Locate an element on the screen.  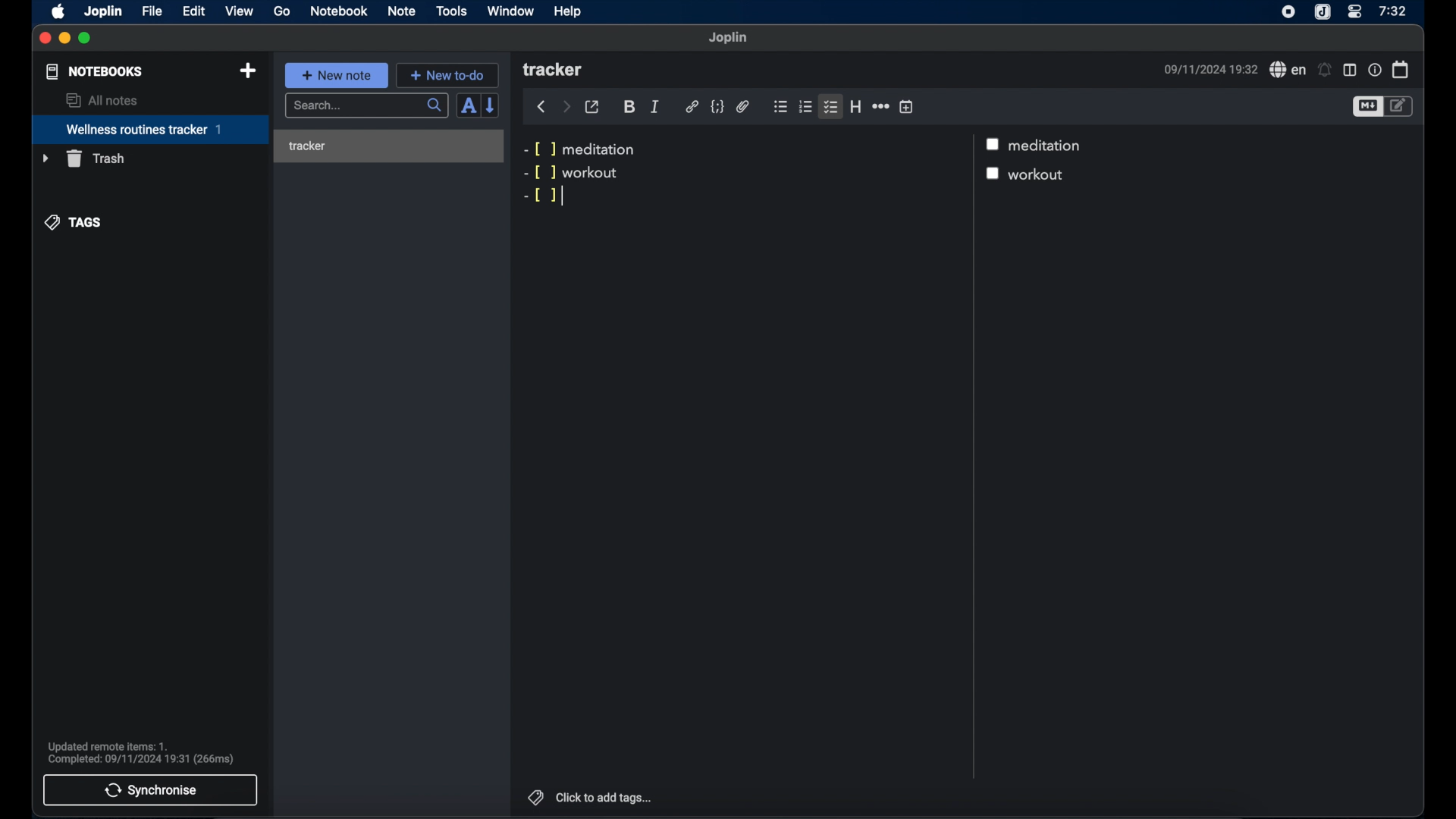
edit is located at coordinates (193, 11).